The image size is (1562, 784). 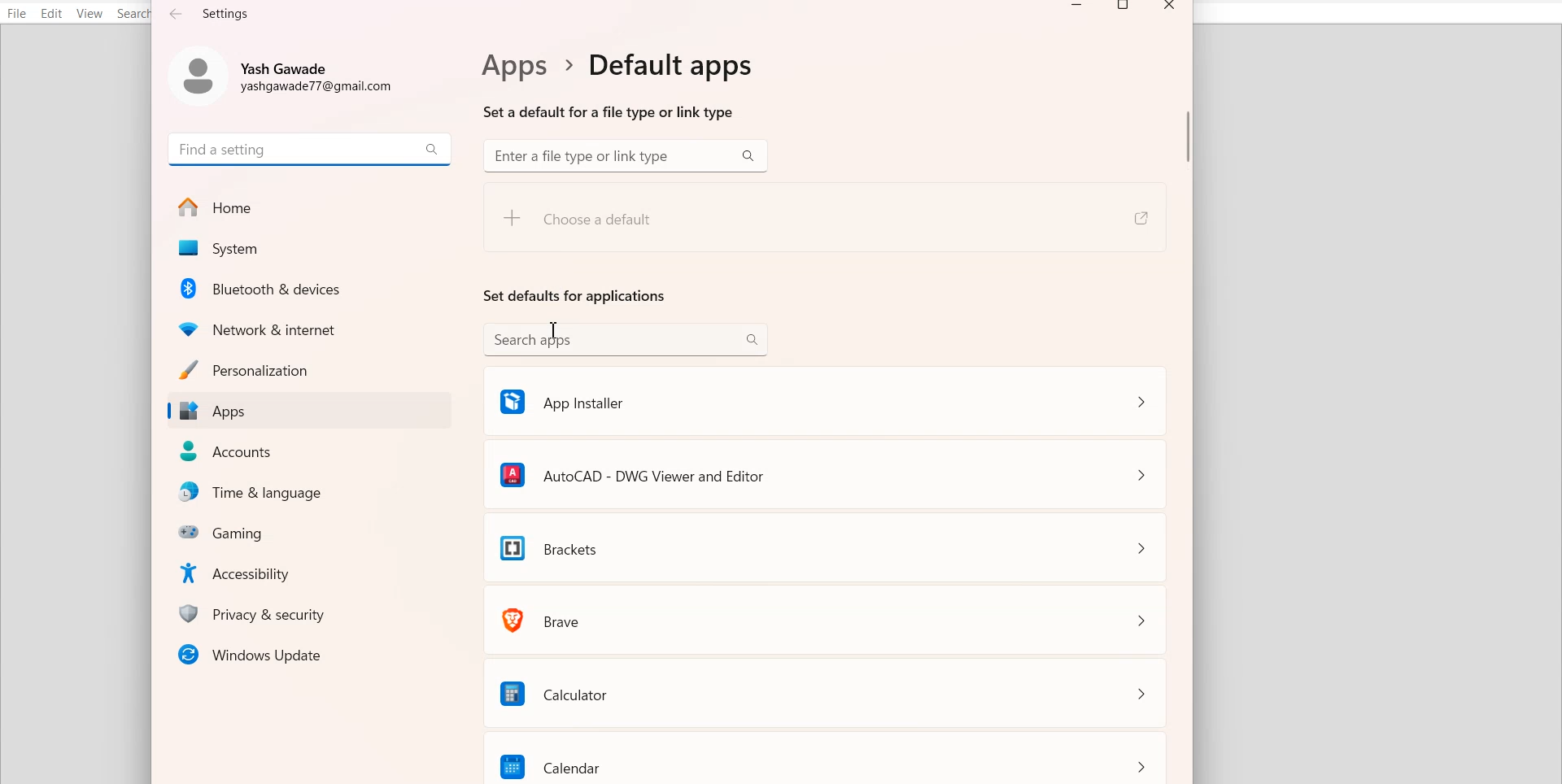 I want to click on Personalization, so click(x=308, y=369).